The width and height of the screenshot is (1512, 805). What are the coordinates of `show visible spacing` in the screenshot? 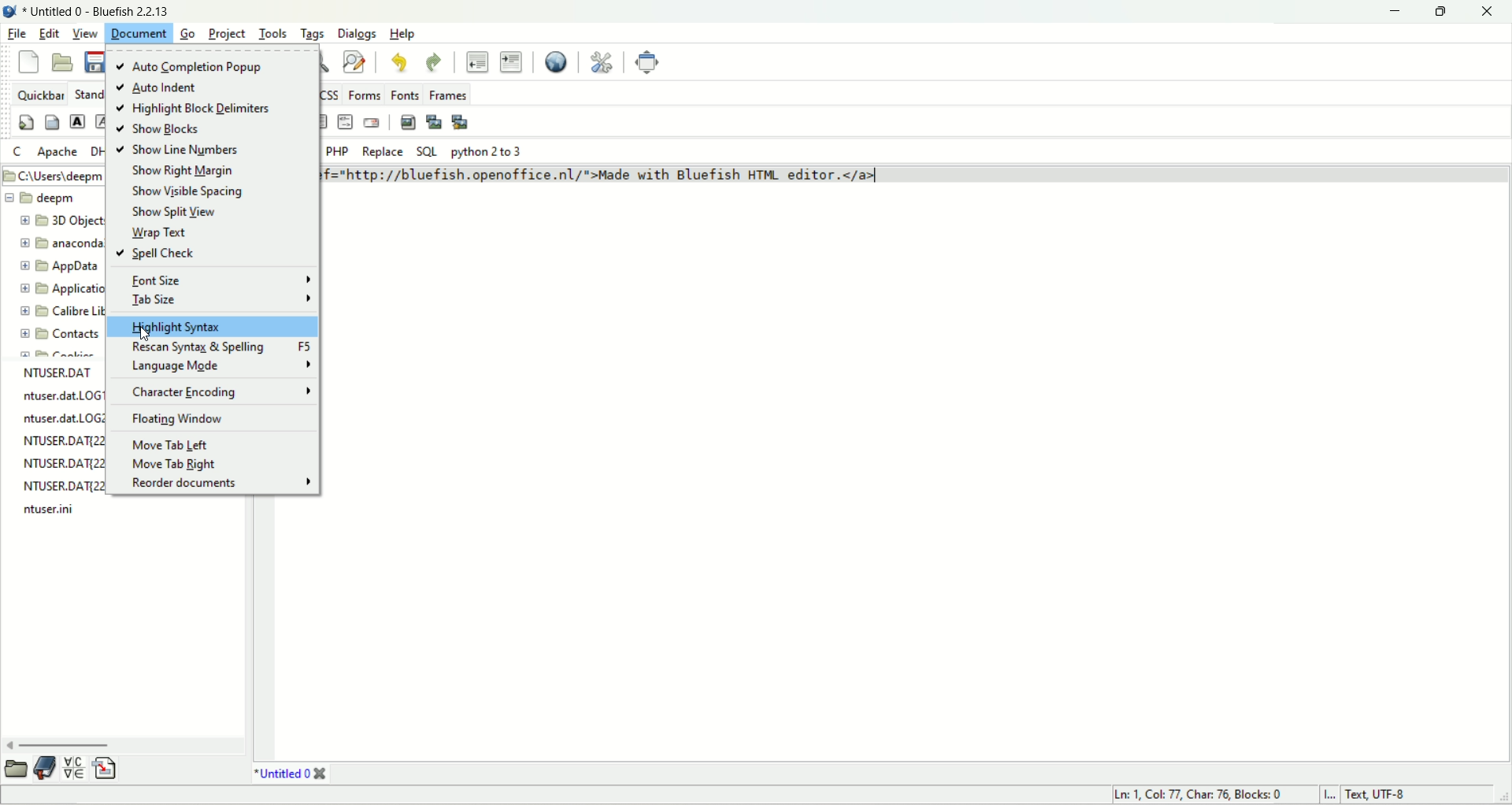 It's located at (191, 192).